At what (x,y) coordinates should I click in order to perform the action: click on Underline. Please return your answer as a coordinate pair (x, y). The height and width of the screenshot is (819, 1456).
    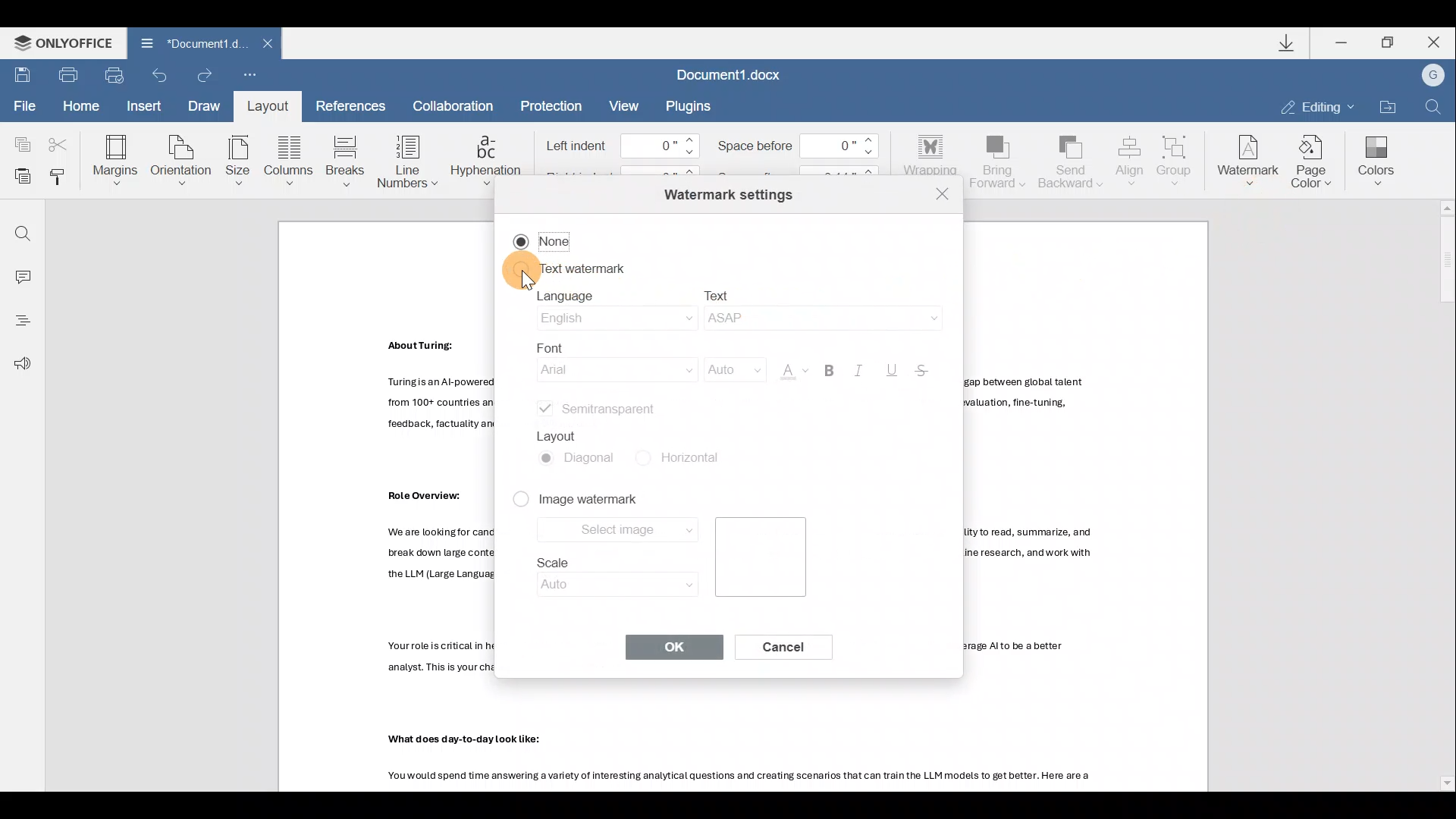
    Looking at the image, I should click on (893, 369).